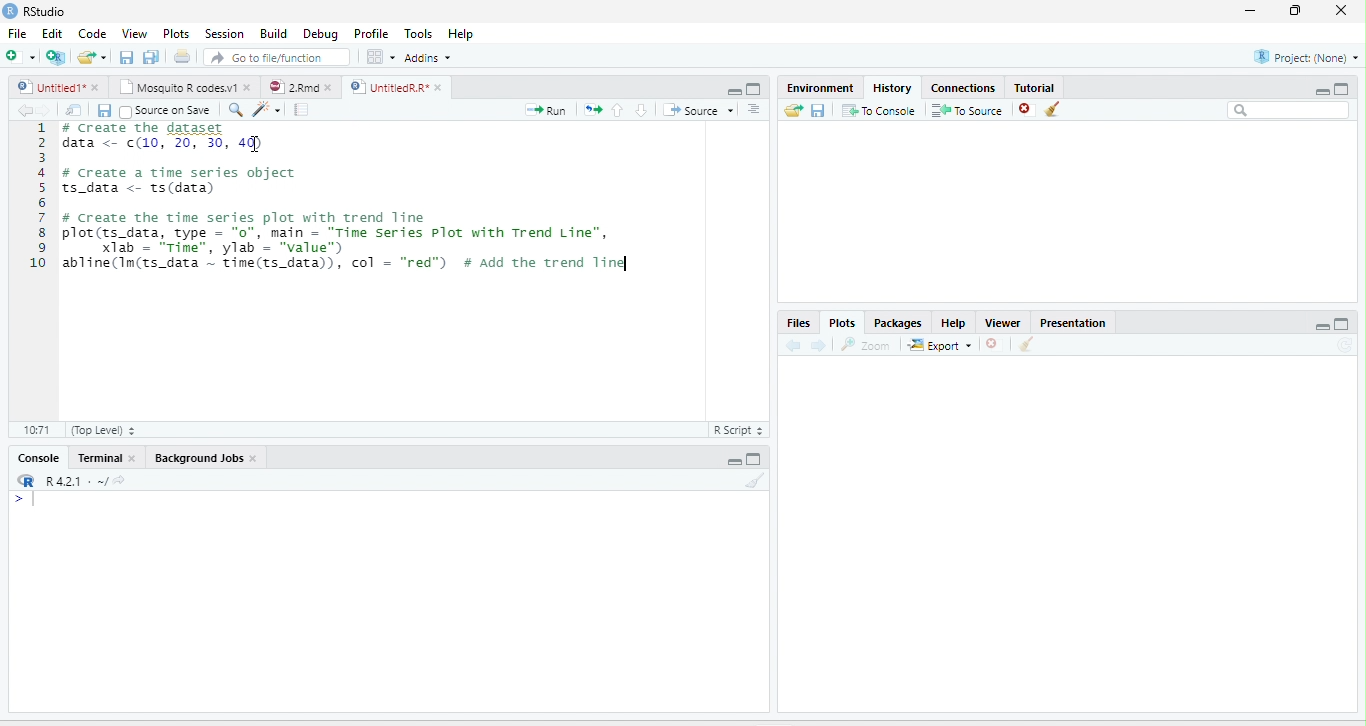 This screenshot has width=1366, height=726. I want to click on To Source, so click(966, 110).